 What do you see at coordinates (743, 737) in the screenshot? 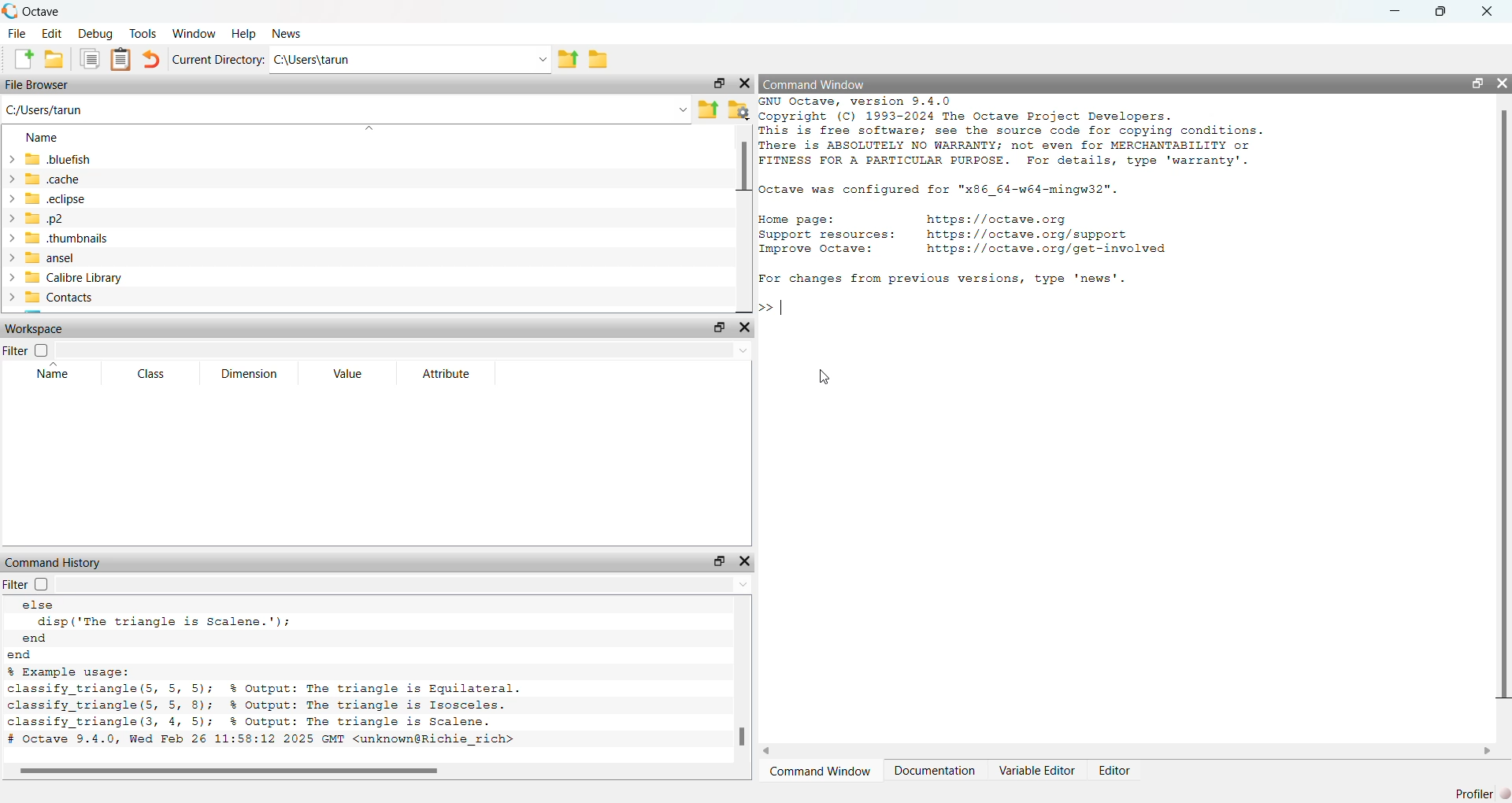
I see `scrollbar` at bounding box center [743, 737].